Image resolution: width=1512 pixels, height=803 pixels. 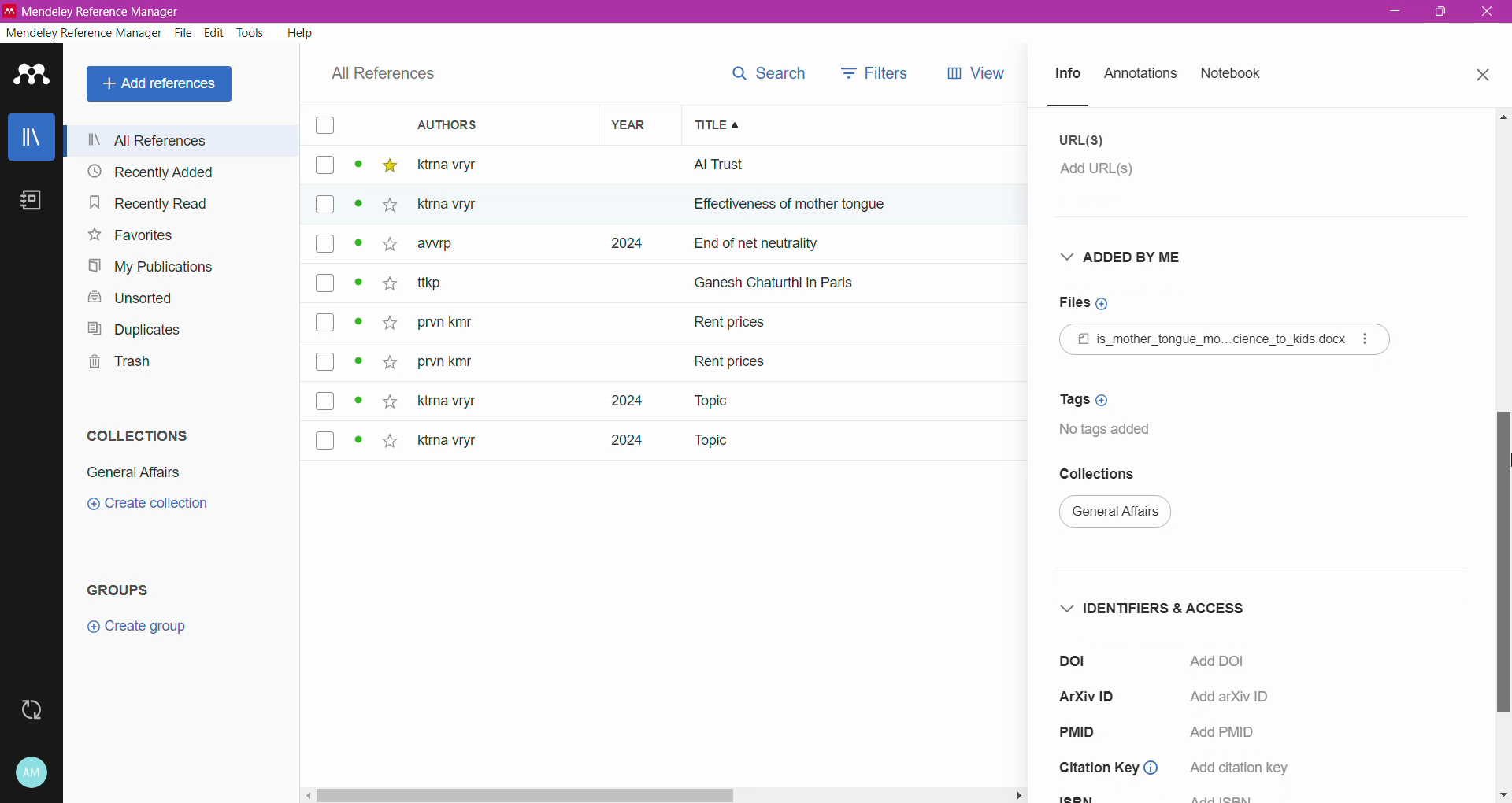 What do you see at coordinates (1485, 76) in the screenshot?
I see `Close Tab` at bounding box center [1485, 76].